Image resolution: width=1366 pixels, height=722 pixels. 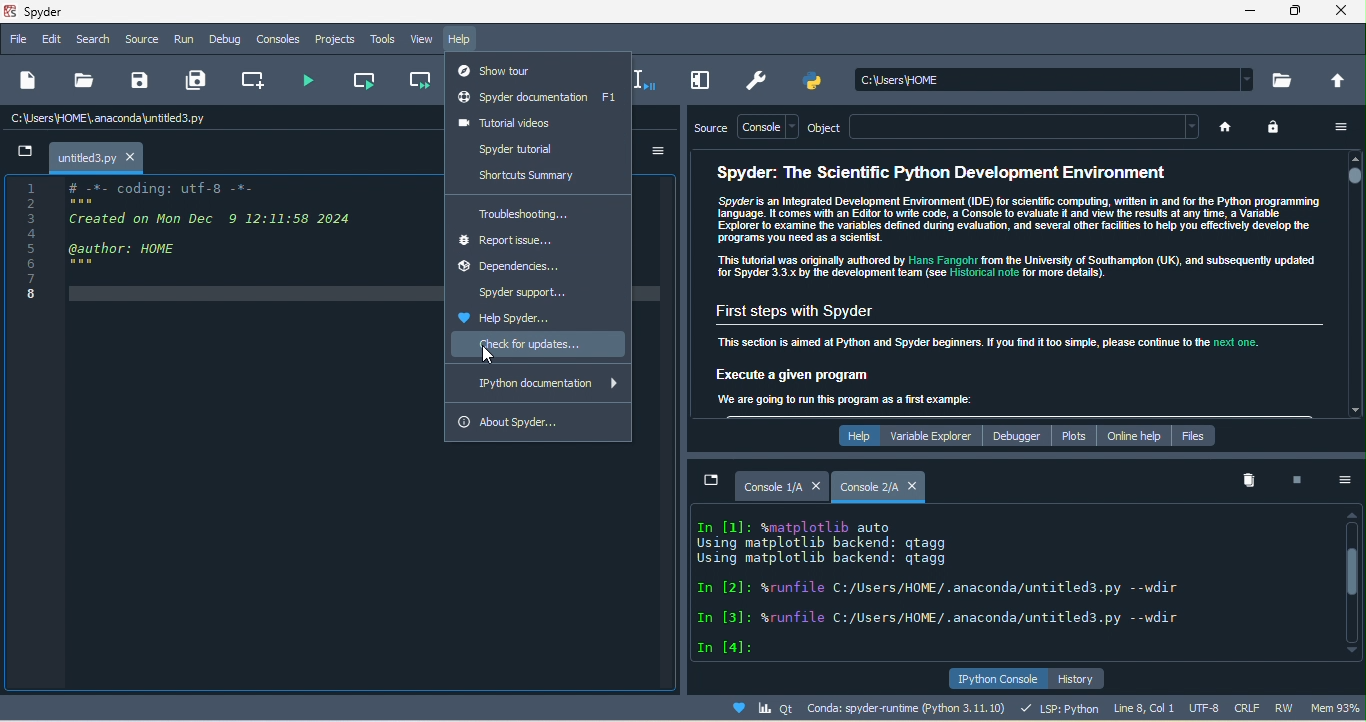 I want to click on conda spyder runtime, so click(x=855, y=709).